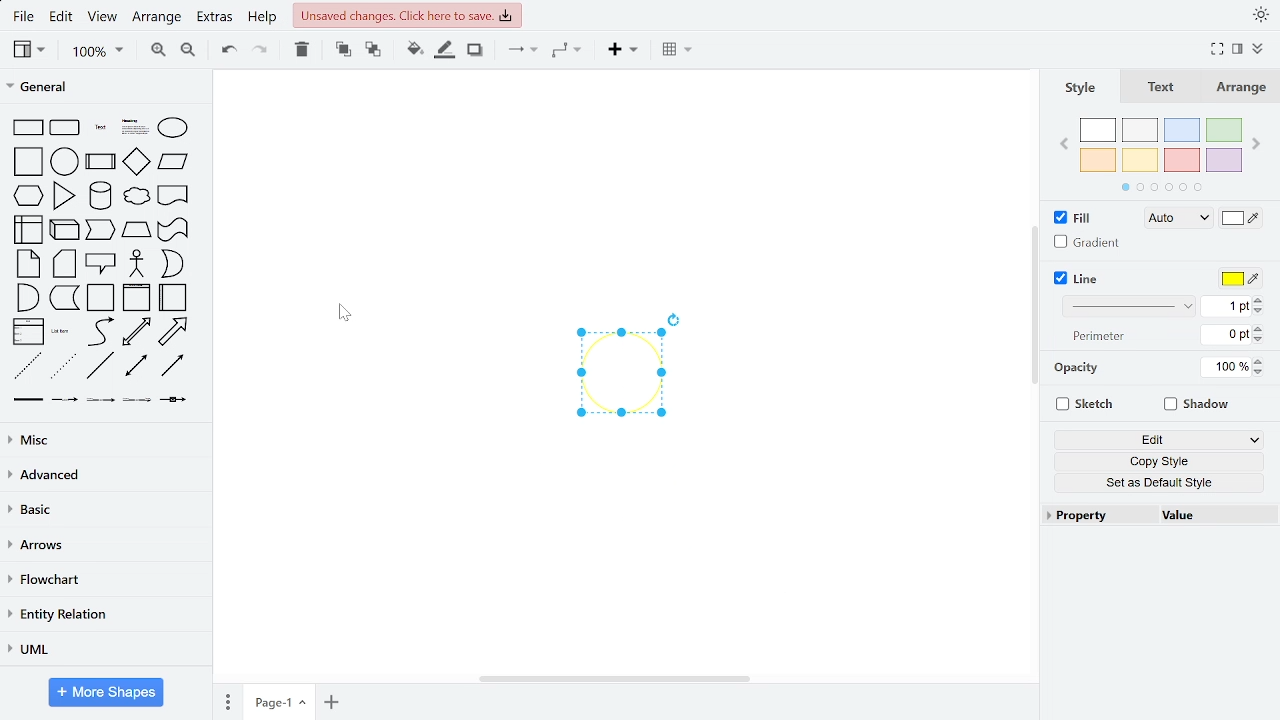  What do you see at coordinates (65, 399) in the screenshot?
I see `link with label` at bounding box center [65, 399].